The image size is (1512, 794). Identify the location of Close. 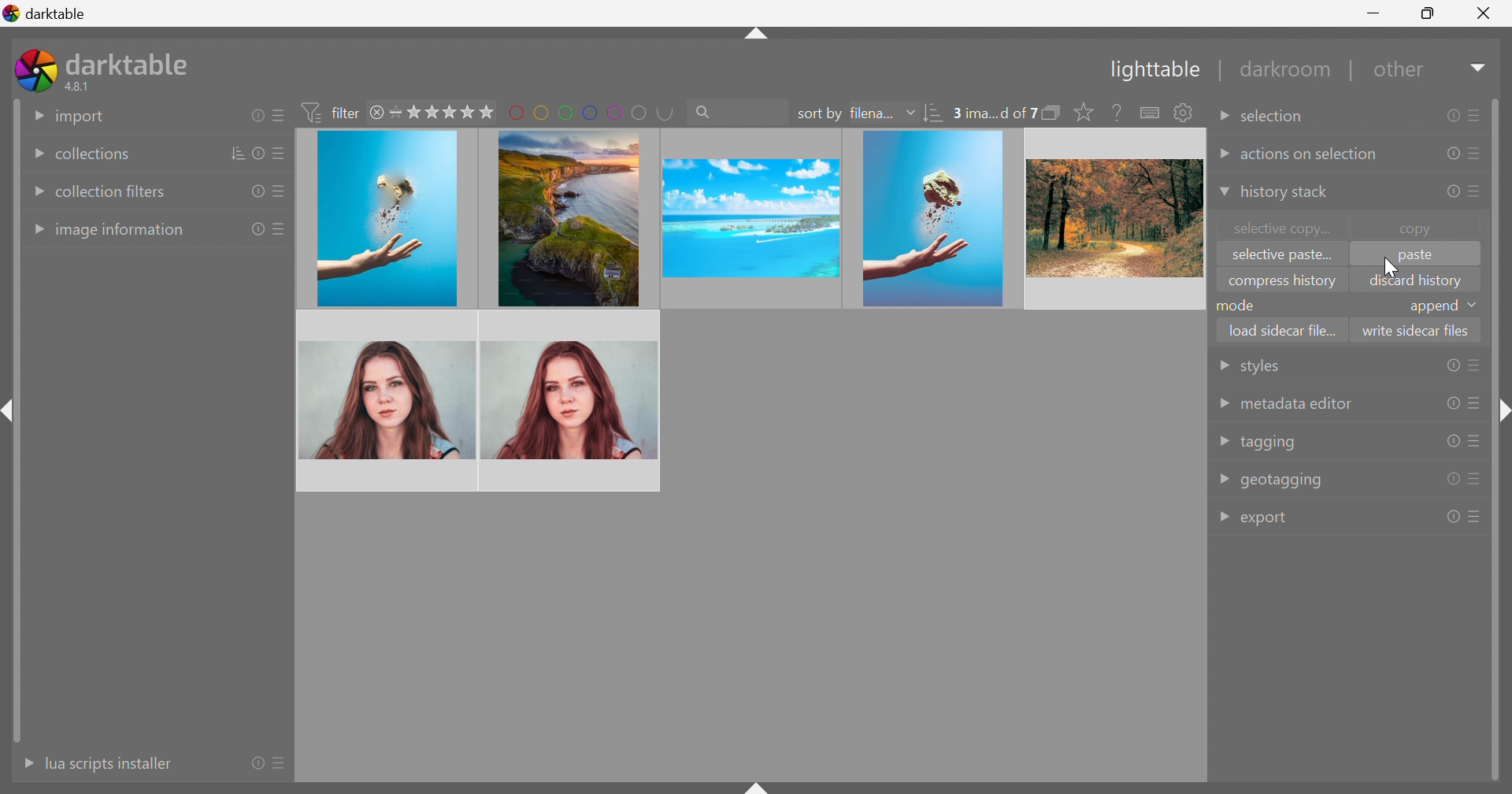
(1484, 17).